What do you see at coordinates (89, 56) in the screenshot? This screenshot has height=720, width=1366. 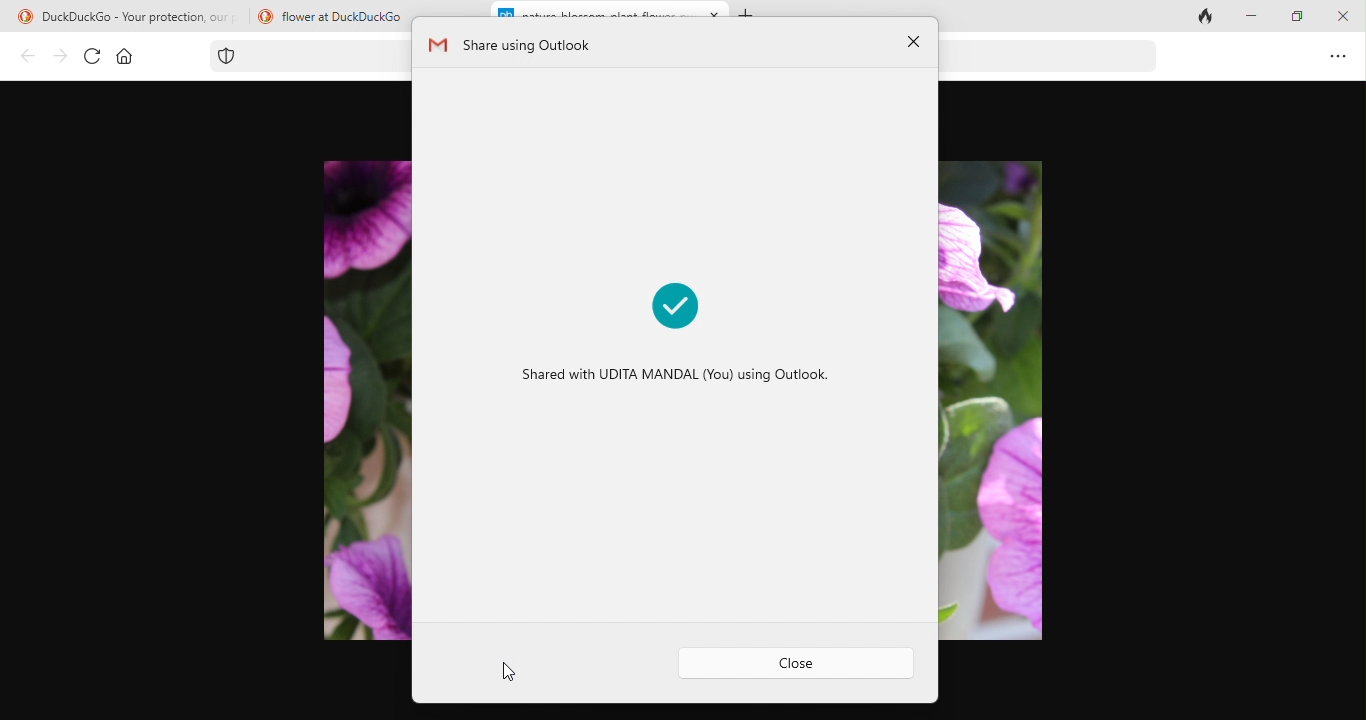 I see `refresh` at bounding box center [89, 56].